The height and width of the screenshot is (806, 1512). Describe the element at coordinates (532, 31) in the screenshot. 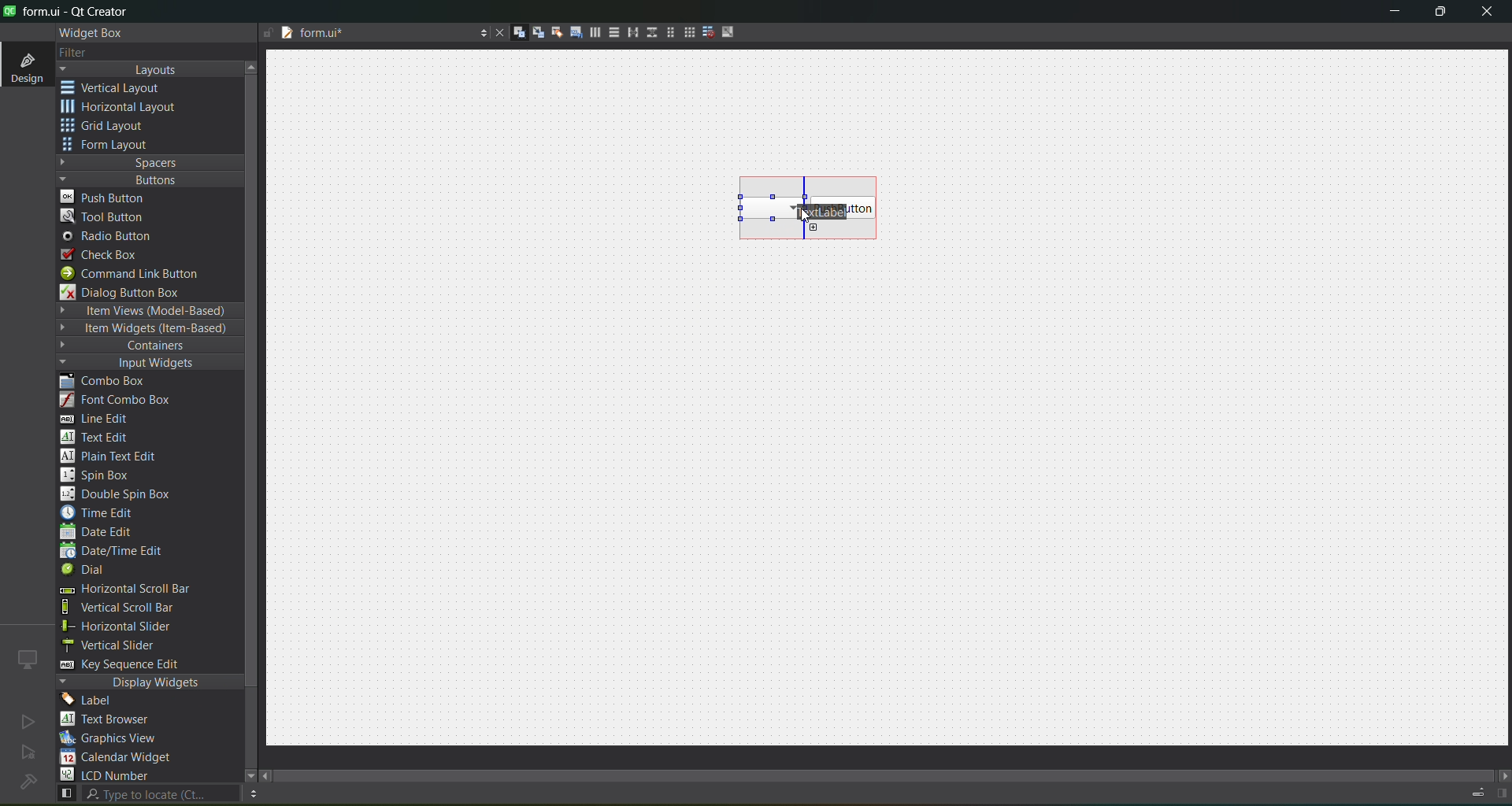

I see `edit signals` at that location.